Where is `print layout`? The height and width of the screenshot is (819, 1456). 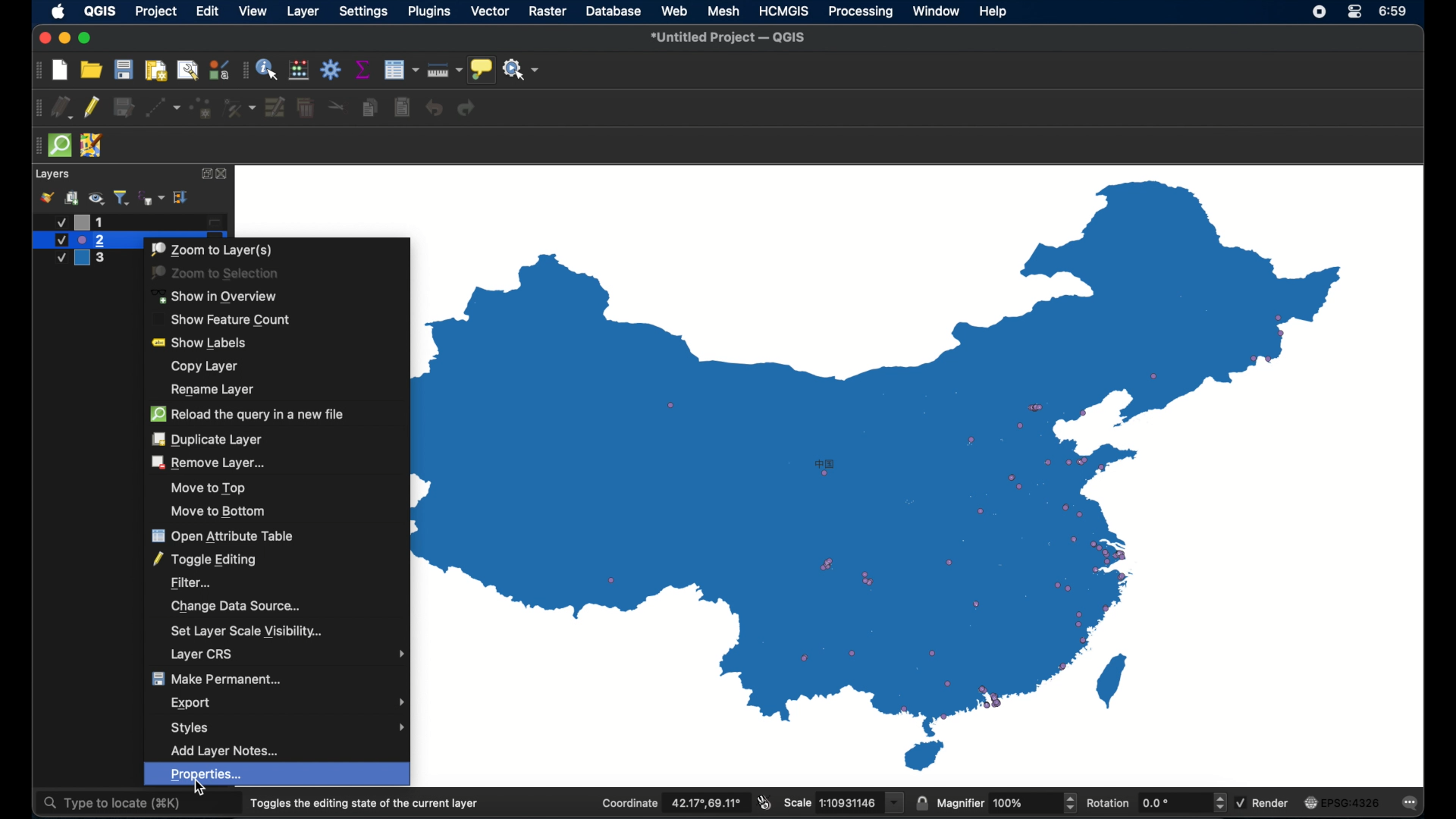
print layout is located at coordinates (156, 71).